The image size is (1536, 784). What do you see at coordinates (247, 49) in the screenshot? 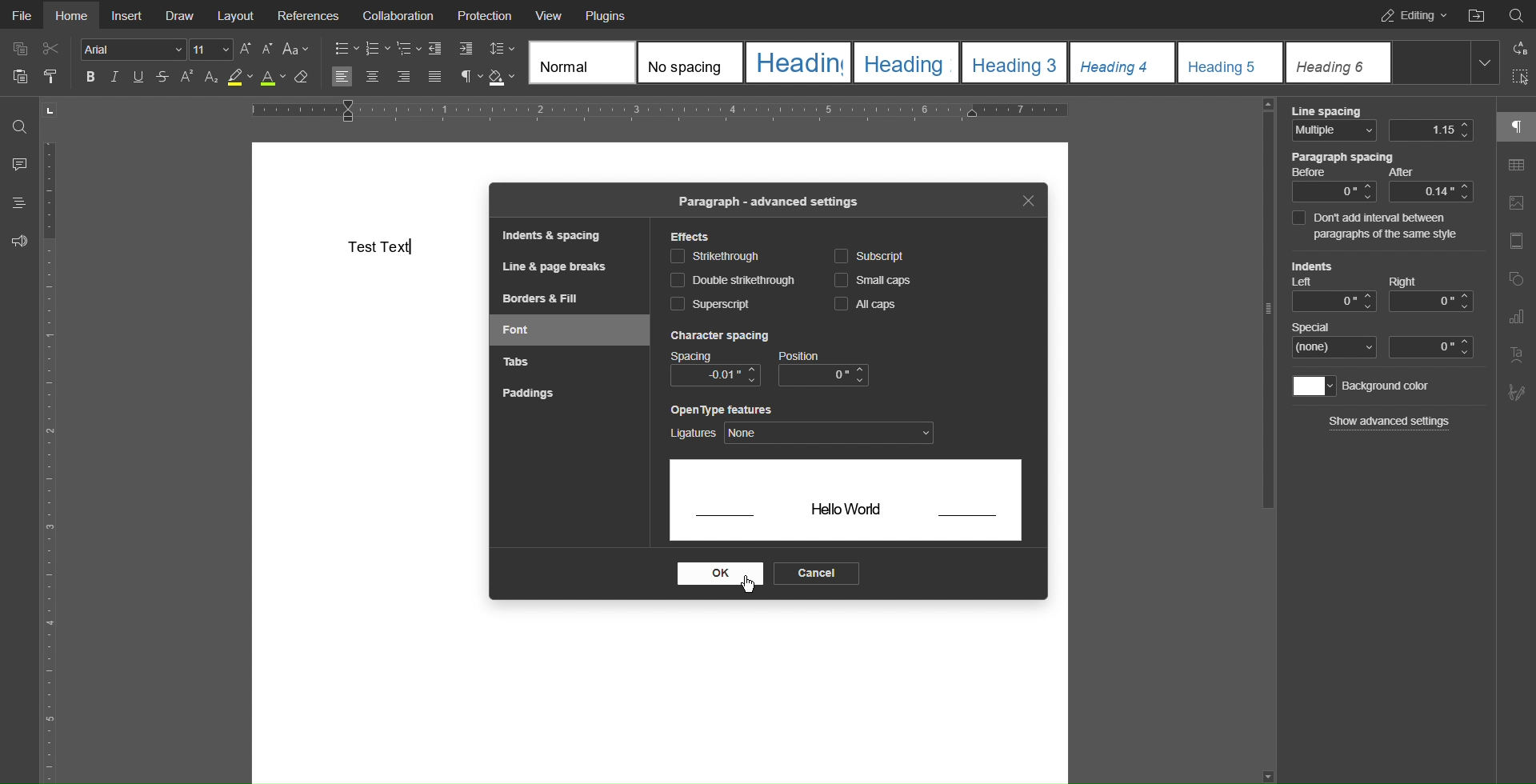
I see `Increase Size` at bounding box center [247, 49].